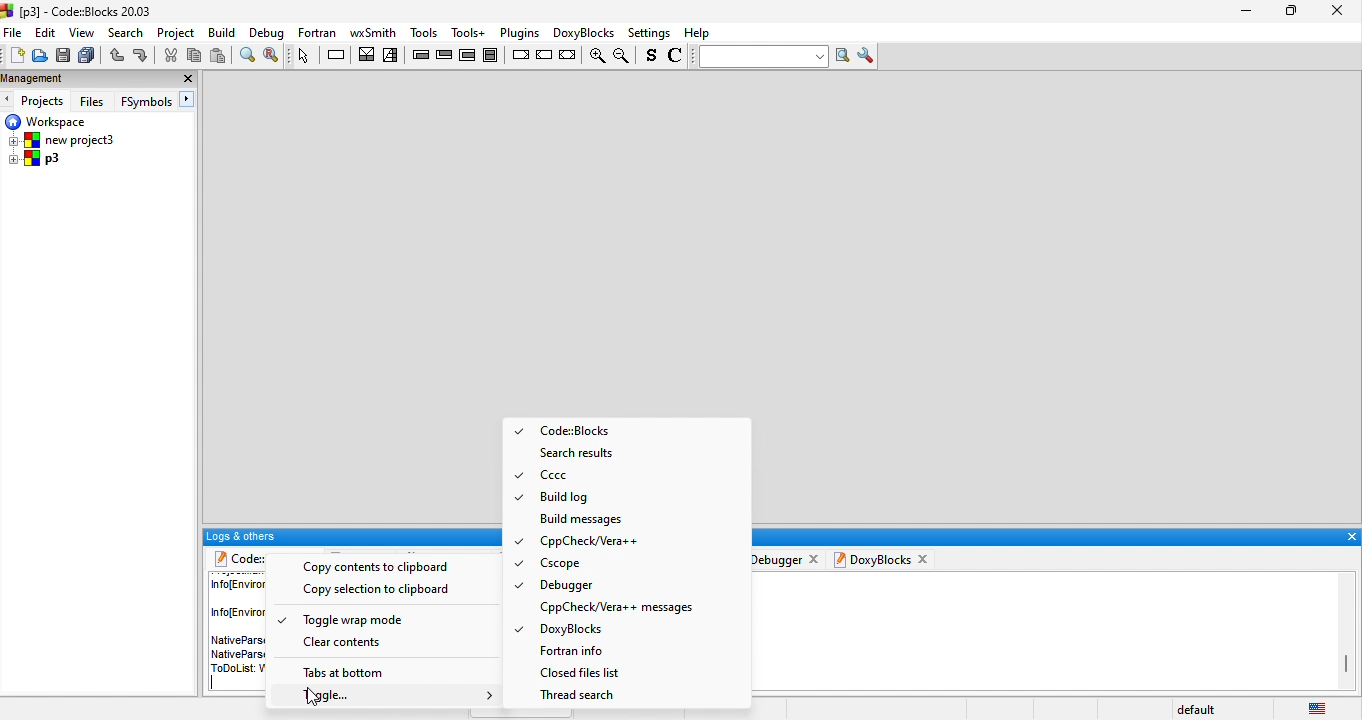 This screenshot has height=720, width=1362. What do you see at coordinates (318, 32) in the screenshot?
I see `fortan` at bounding box center [318, 32].